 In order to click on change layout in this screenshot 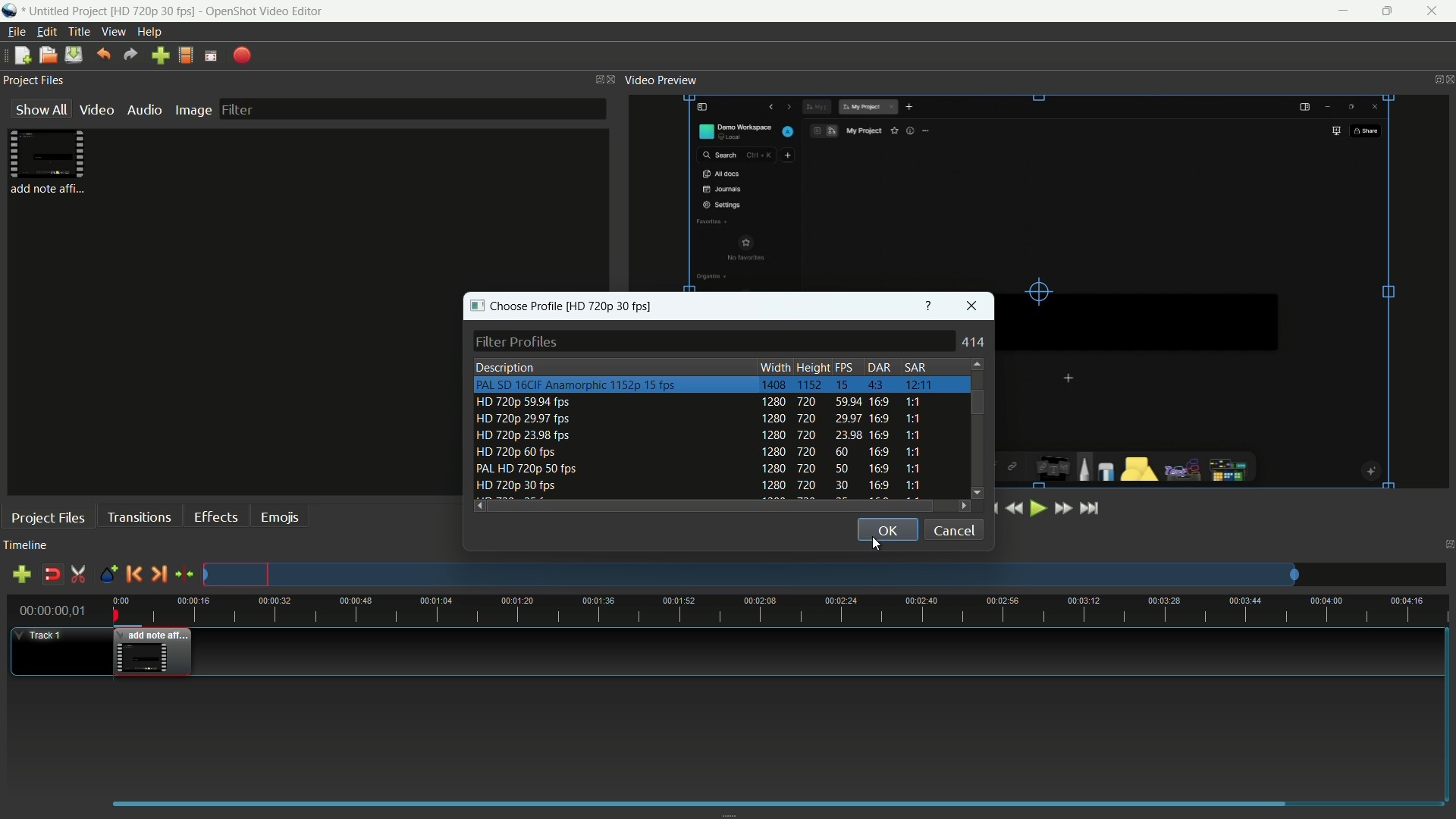, I will do `click(595, 79)`.